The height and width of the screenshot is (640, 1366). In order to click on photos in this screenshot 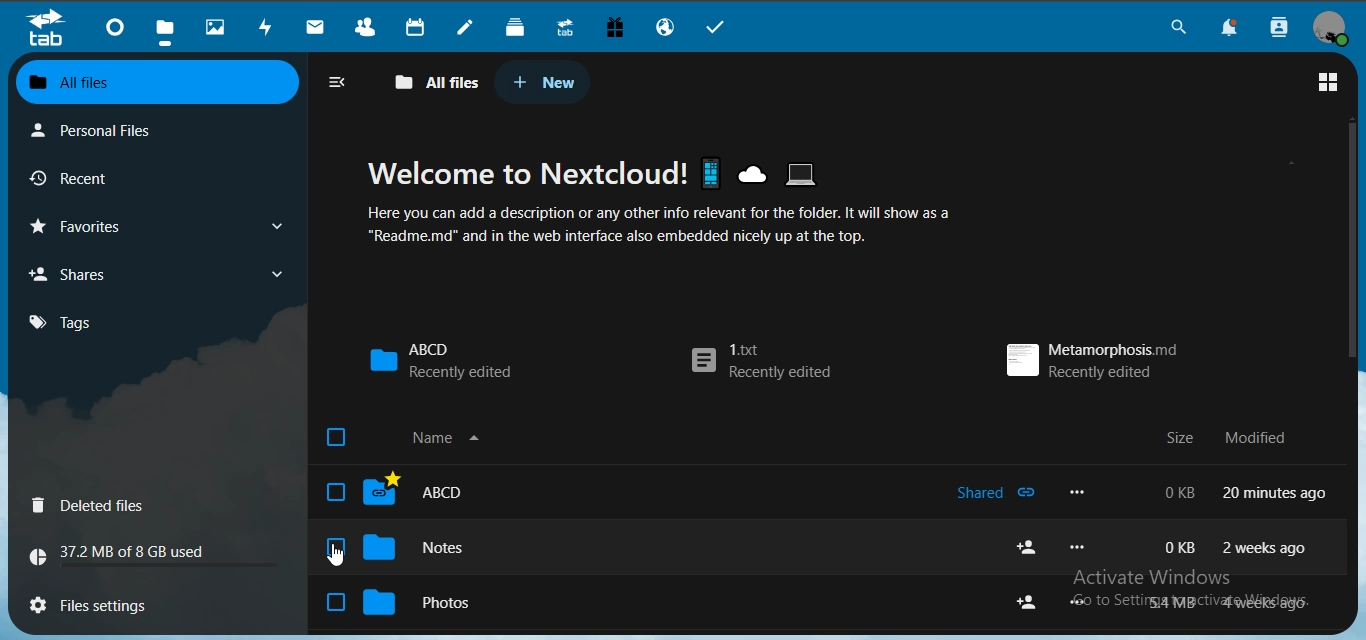, I will do `click(215, 25)`.